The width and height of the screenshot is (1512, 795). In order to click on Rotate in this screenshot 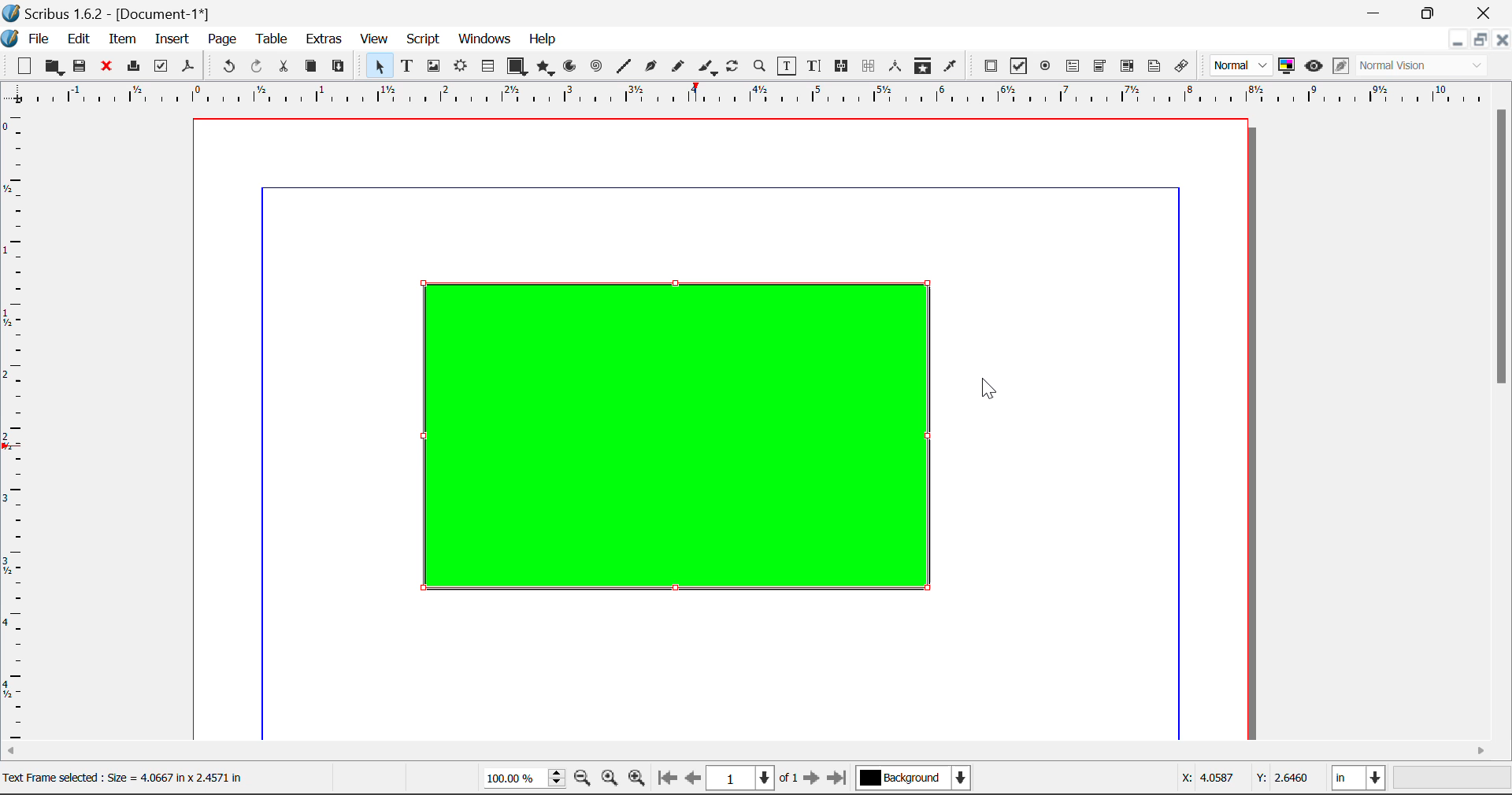, I will do `click(733, 65)`.